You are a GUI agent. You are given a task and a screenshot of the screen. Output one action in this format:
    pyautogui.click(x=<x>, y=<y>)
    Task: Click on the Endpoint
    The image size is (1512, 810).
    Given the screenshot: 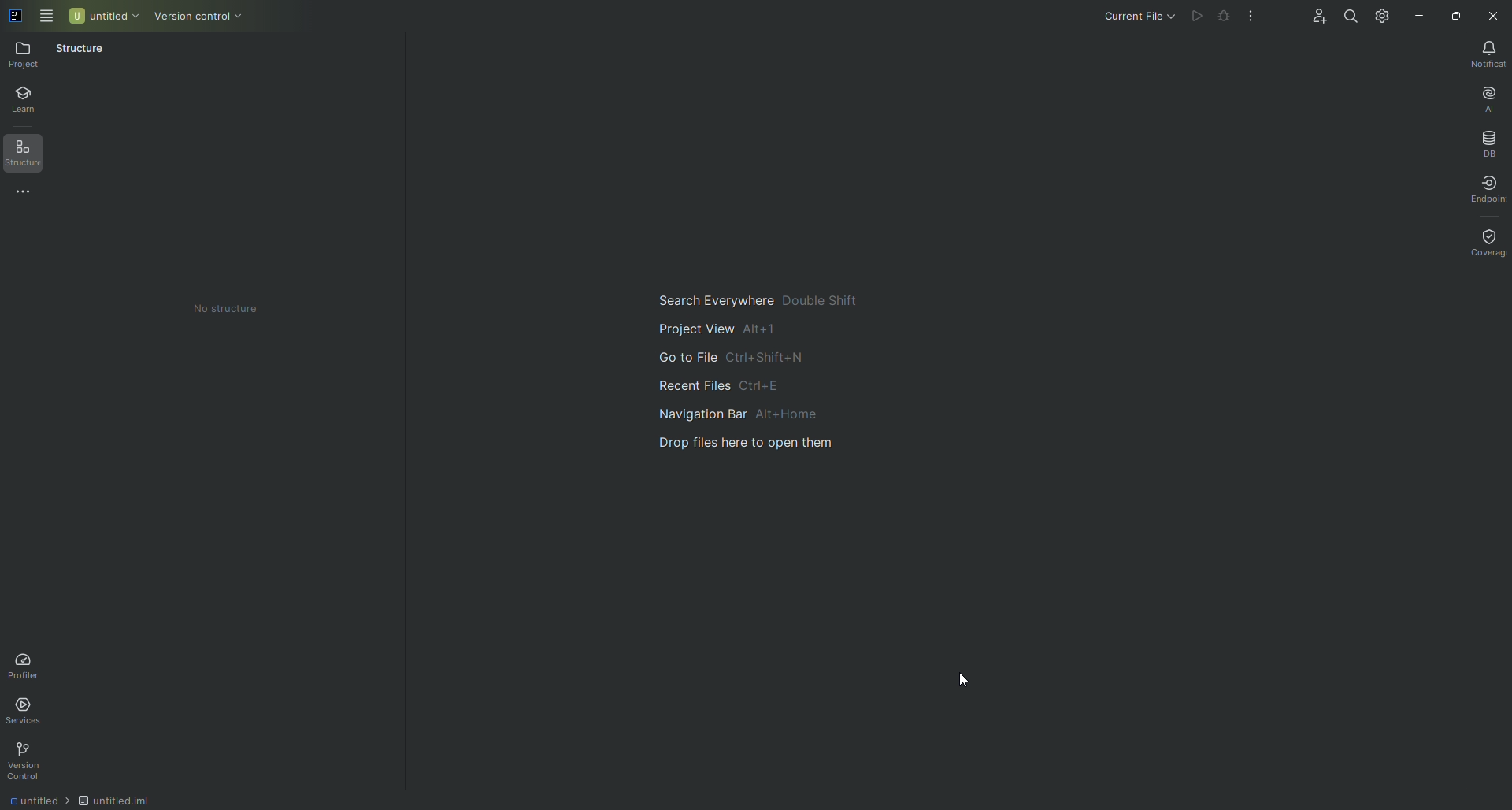 What is the action you would take?
    pyautogui.click(x=1482, y=188)
    